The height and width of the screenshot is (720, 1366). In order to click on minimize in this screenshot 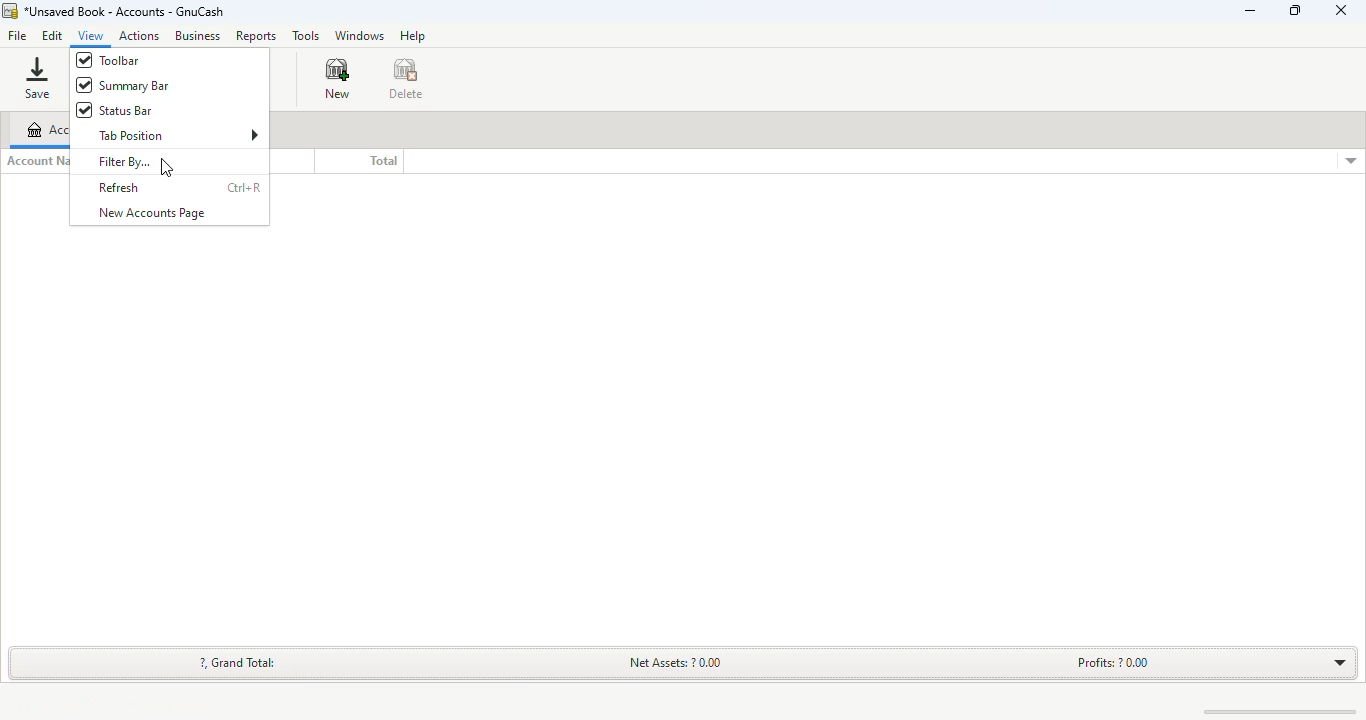, I will do `click(1250, 10)`.